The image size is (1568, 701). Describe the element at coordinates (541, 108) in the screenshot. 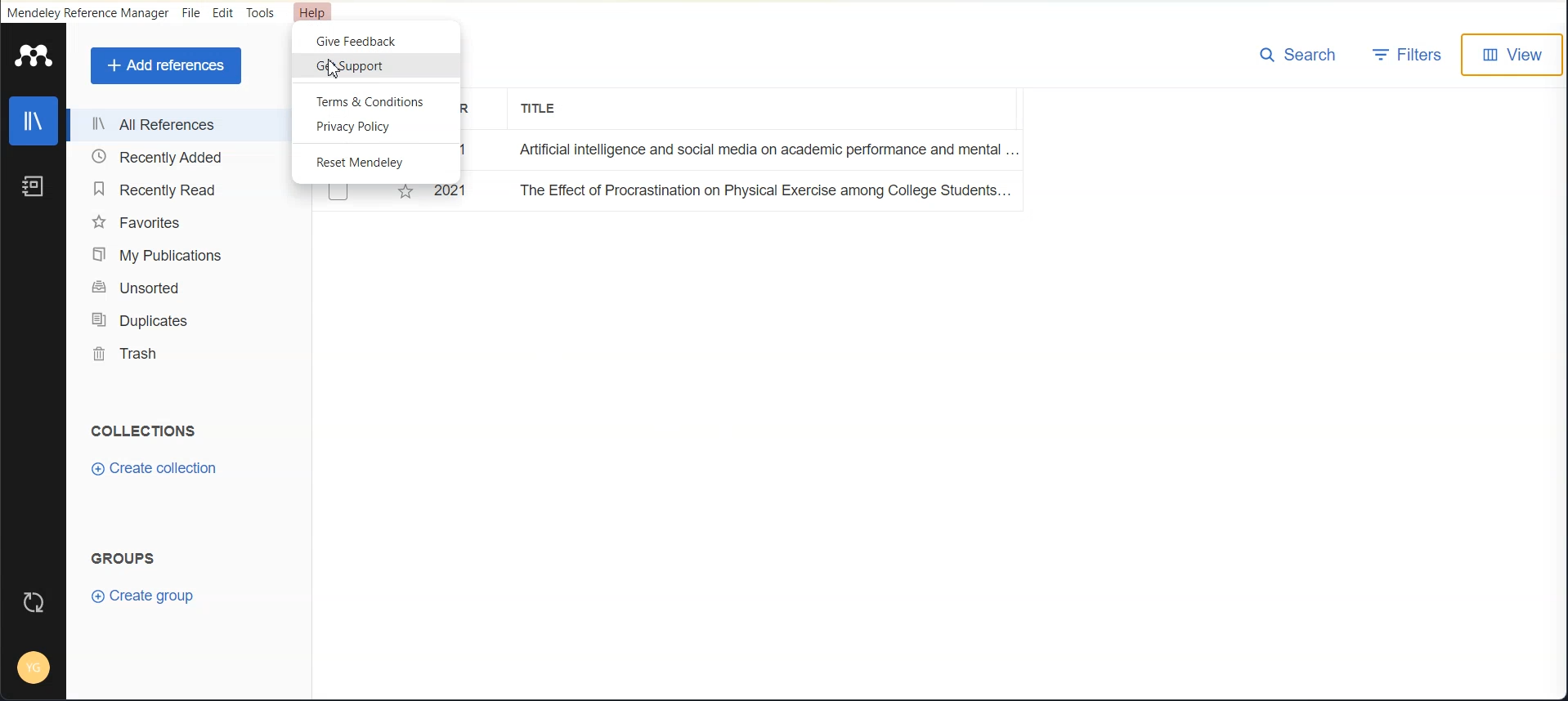

I see `Title` at that location.